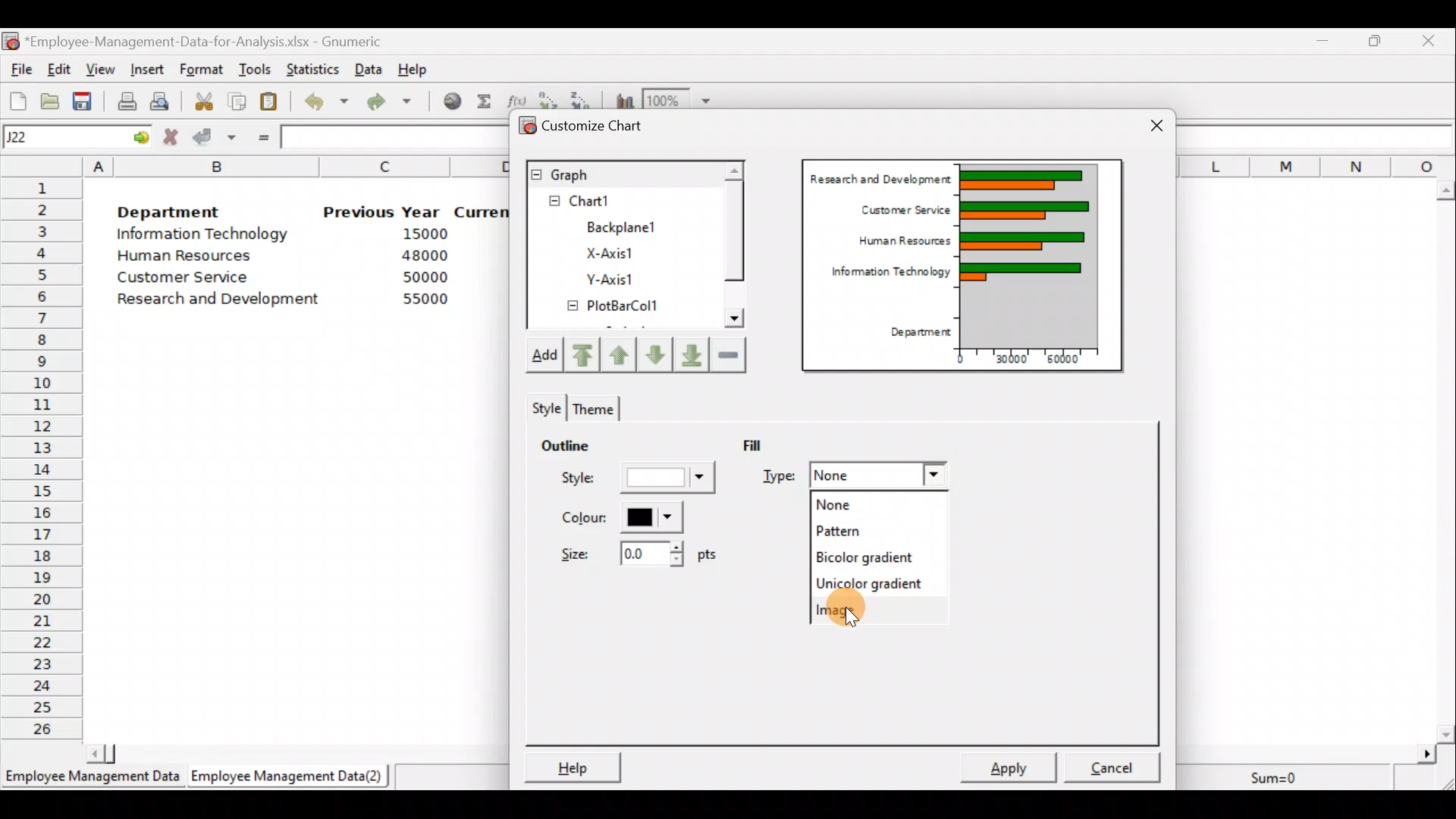  I want to click on View, so click(101, 68).